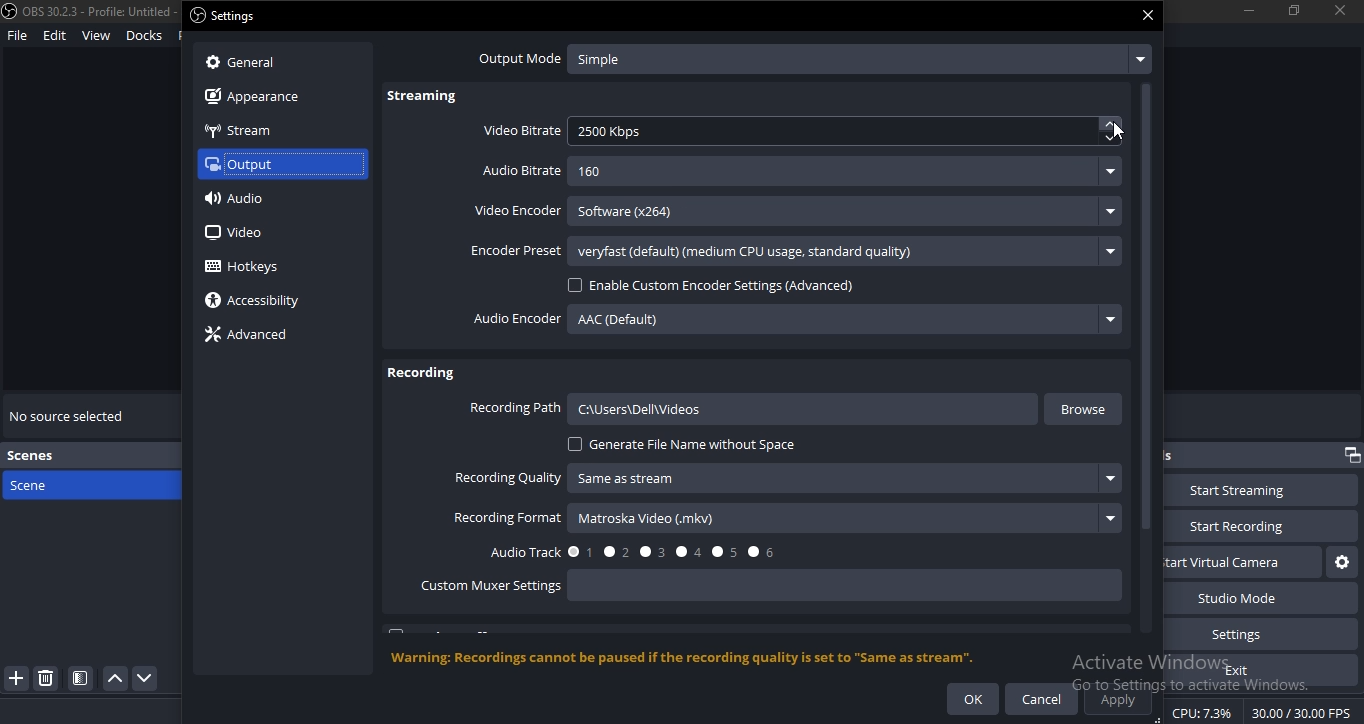 This screenshot has width=1364, height=724. Describe the element at coordinates (17, 679) in the screenshot. I see `add scene` at that location.